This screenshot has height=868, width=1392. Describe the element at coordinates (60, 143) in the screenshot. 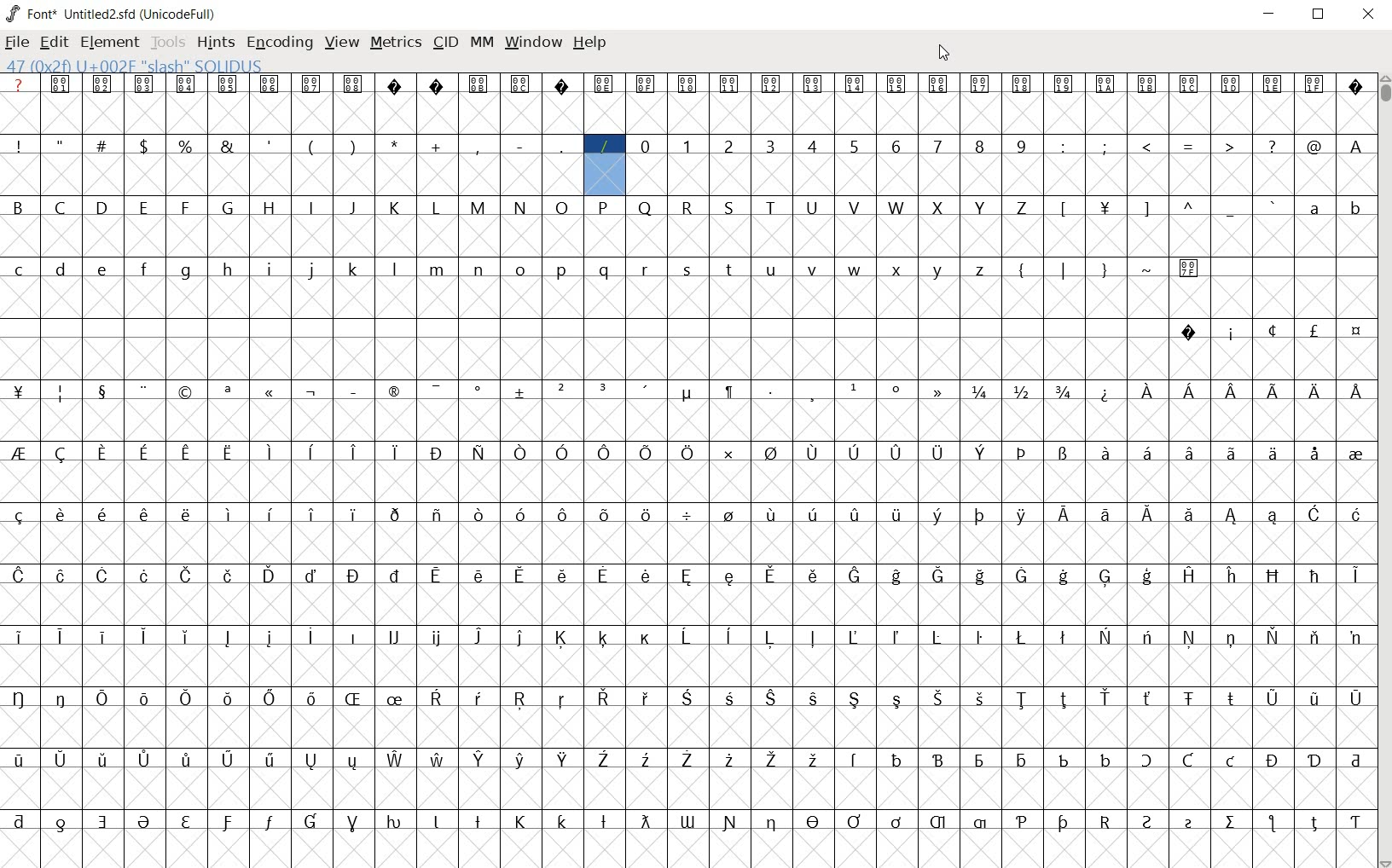

I see `glyph` at that location.